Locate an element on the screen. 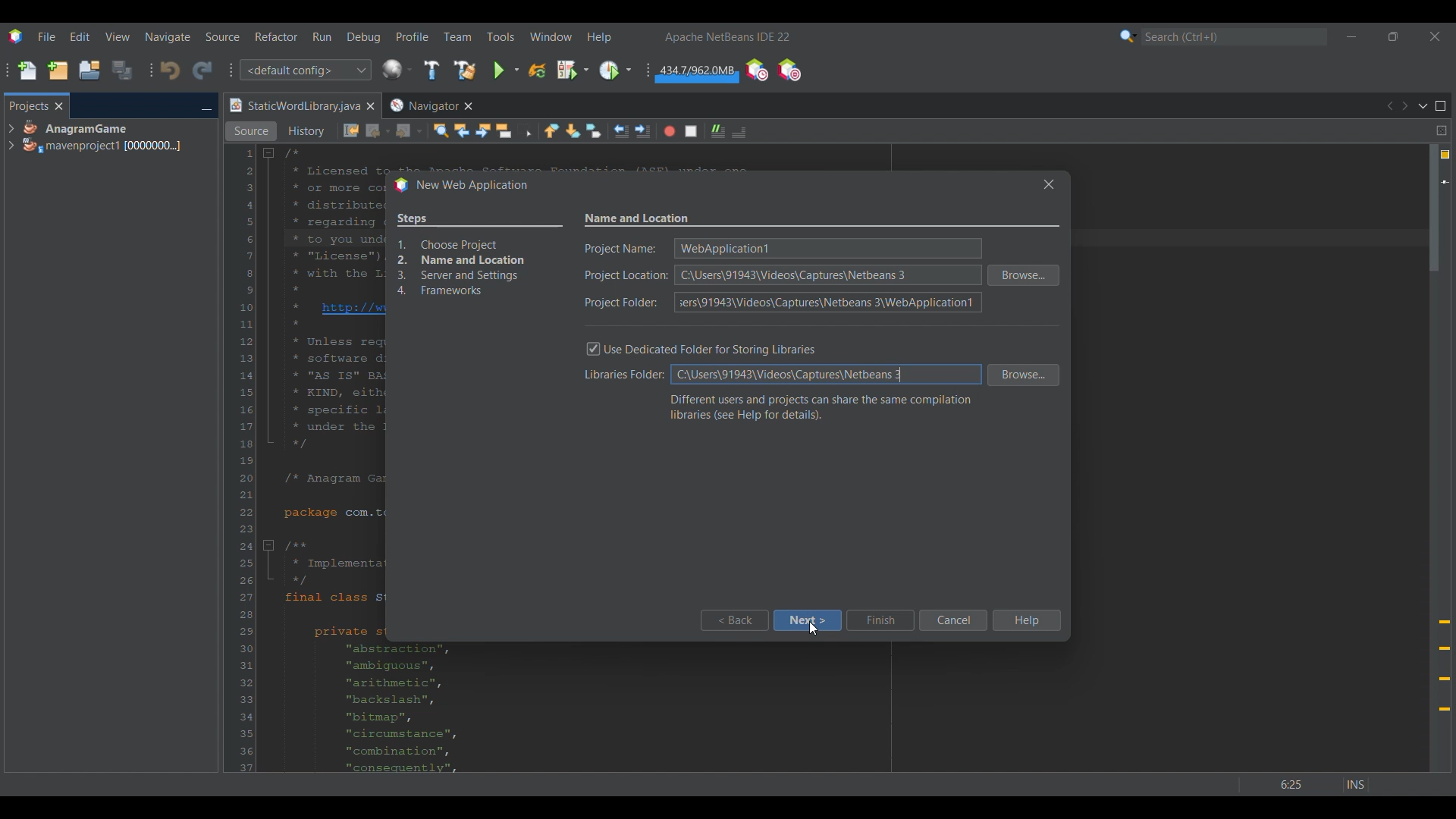 The image size is (1456, 819). Split window horizontally or vertically is located at coordinates (1441, 130).